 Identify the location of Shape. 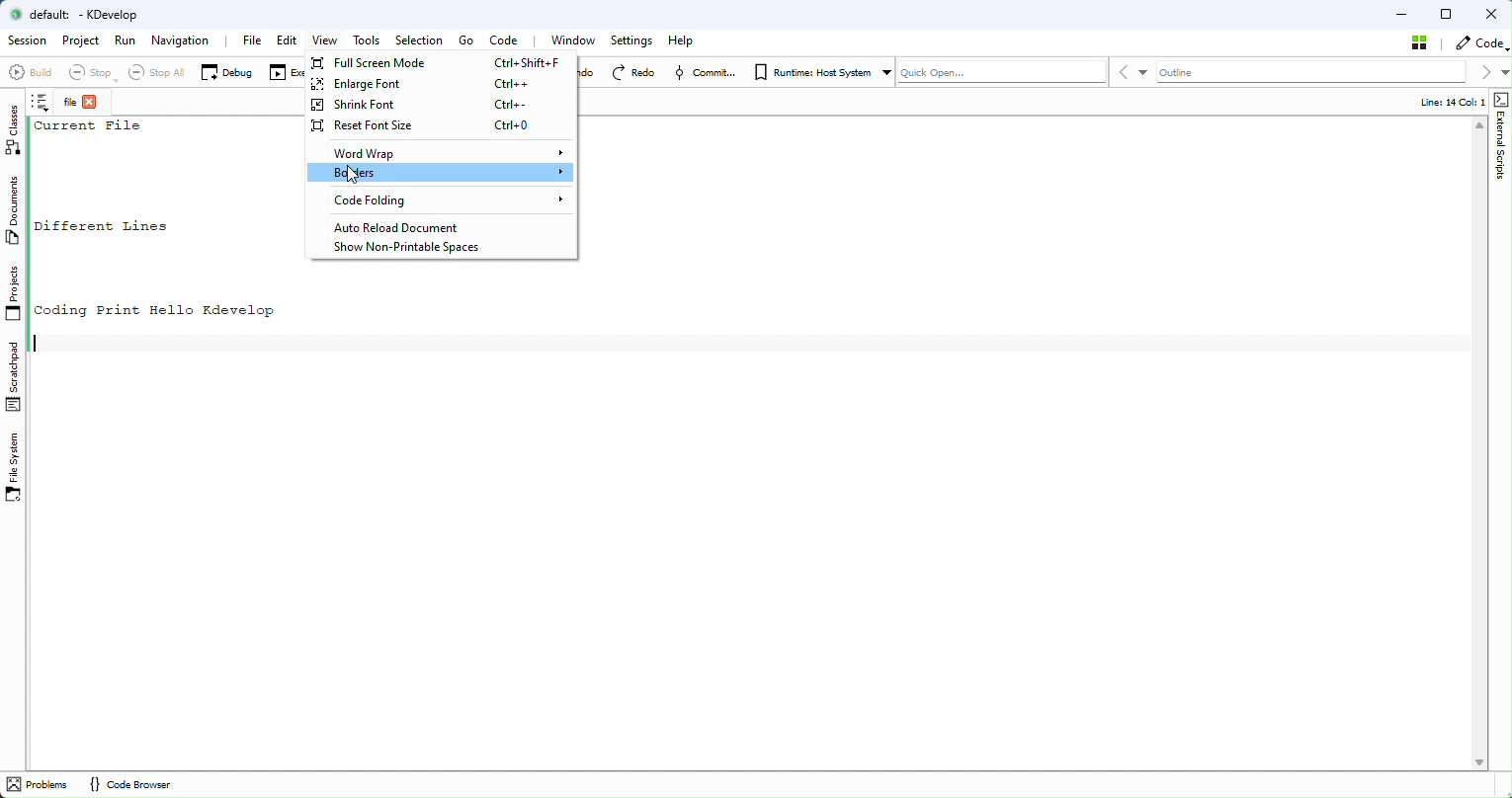
(1499, 141).